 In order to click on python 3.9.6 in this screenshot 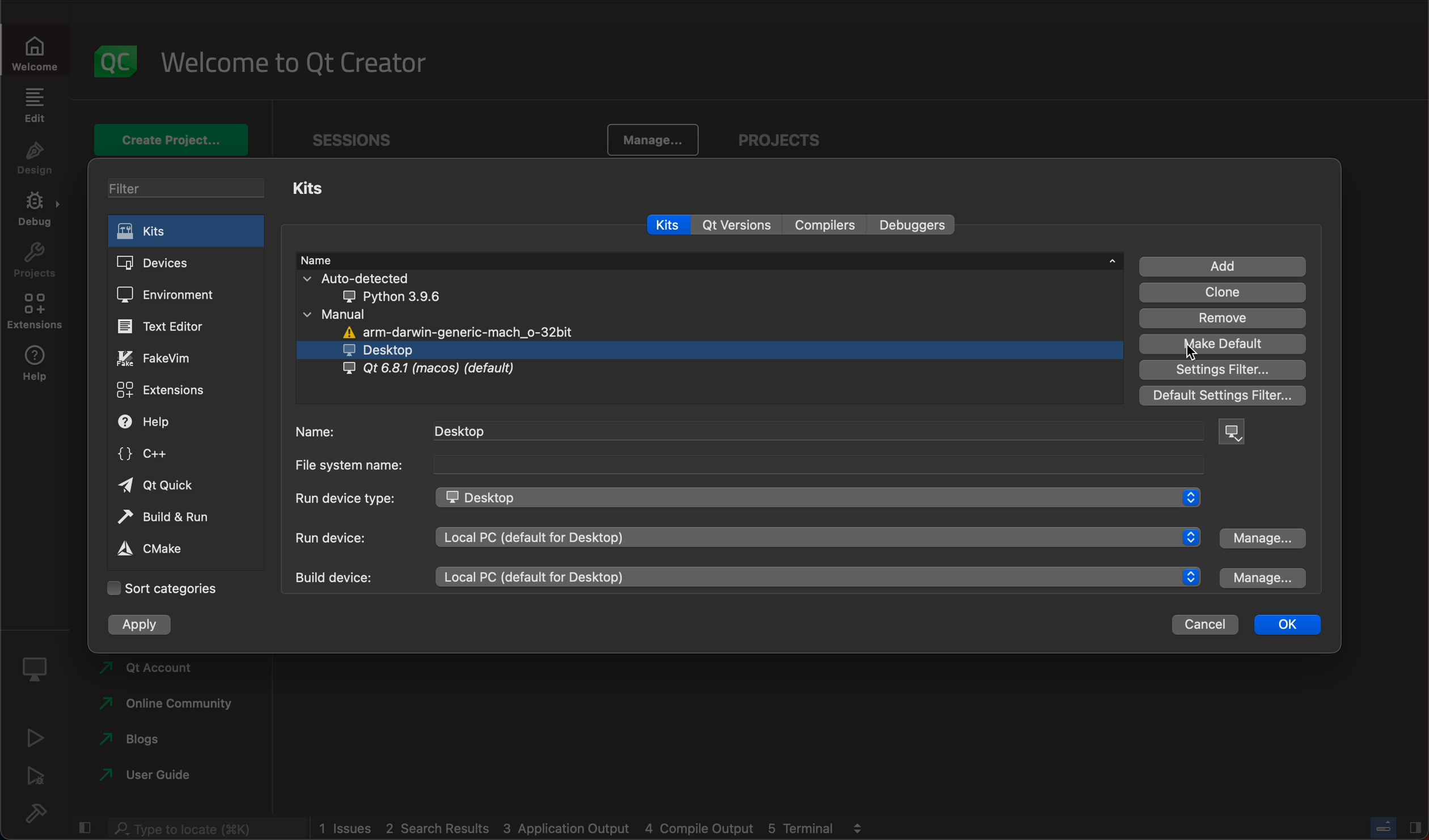, I will do `click(422, 297)`.